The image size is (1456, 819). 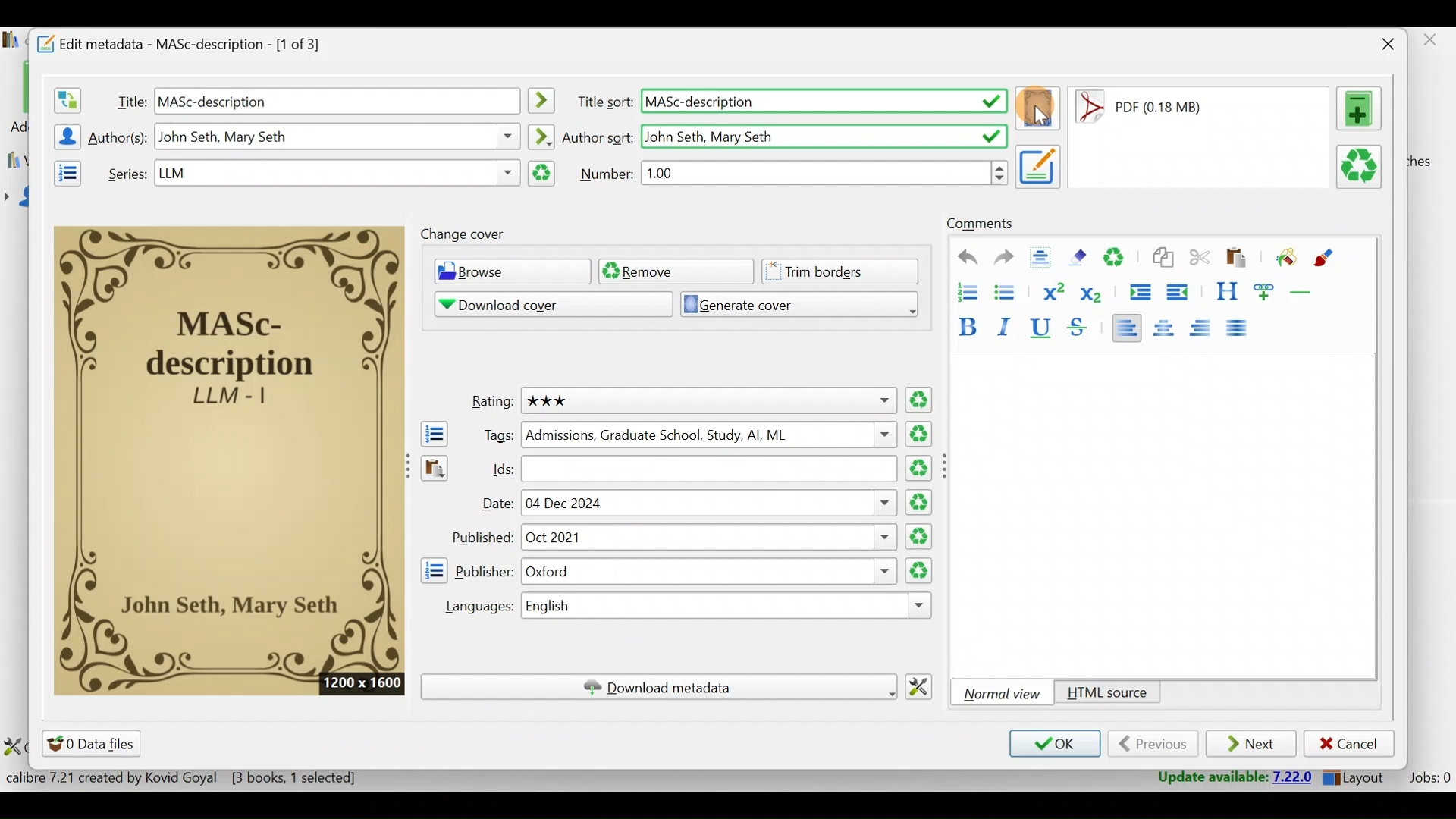 What do you see at coordinates (1079, 329) in the screenshot?
I see `Strikethrough` at bounding box center [1079, 329].